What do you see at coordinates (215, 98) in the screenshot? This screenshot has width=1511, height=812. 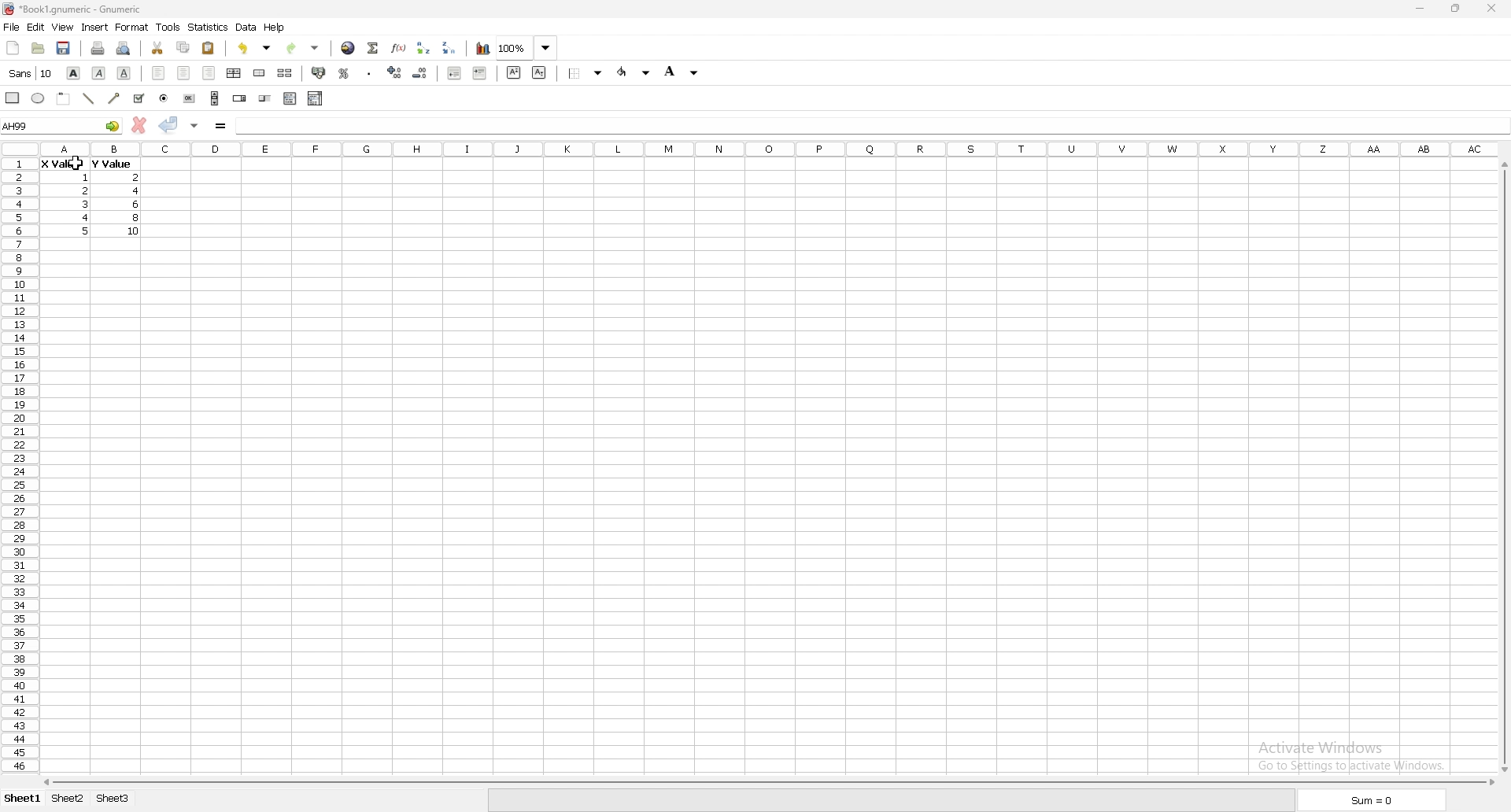 I see `scroll bar` at bounding box center [215, 98].